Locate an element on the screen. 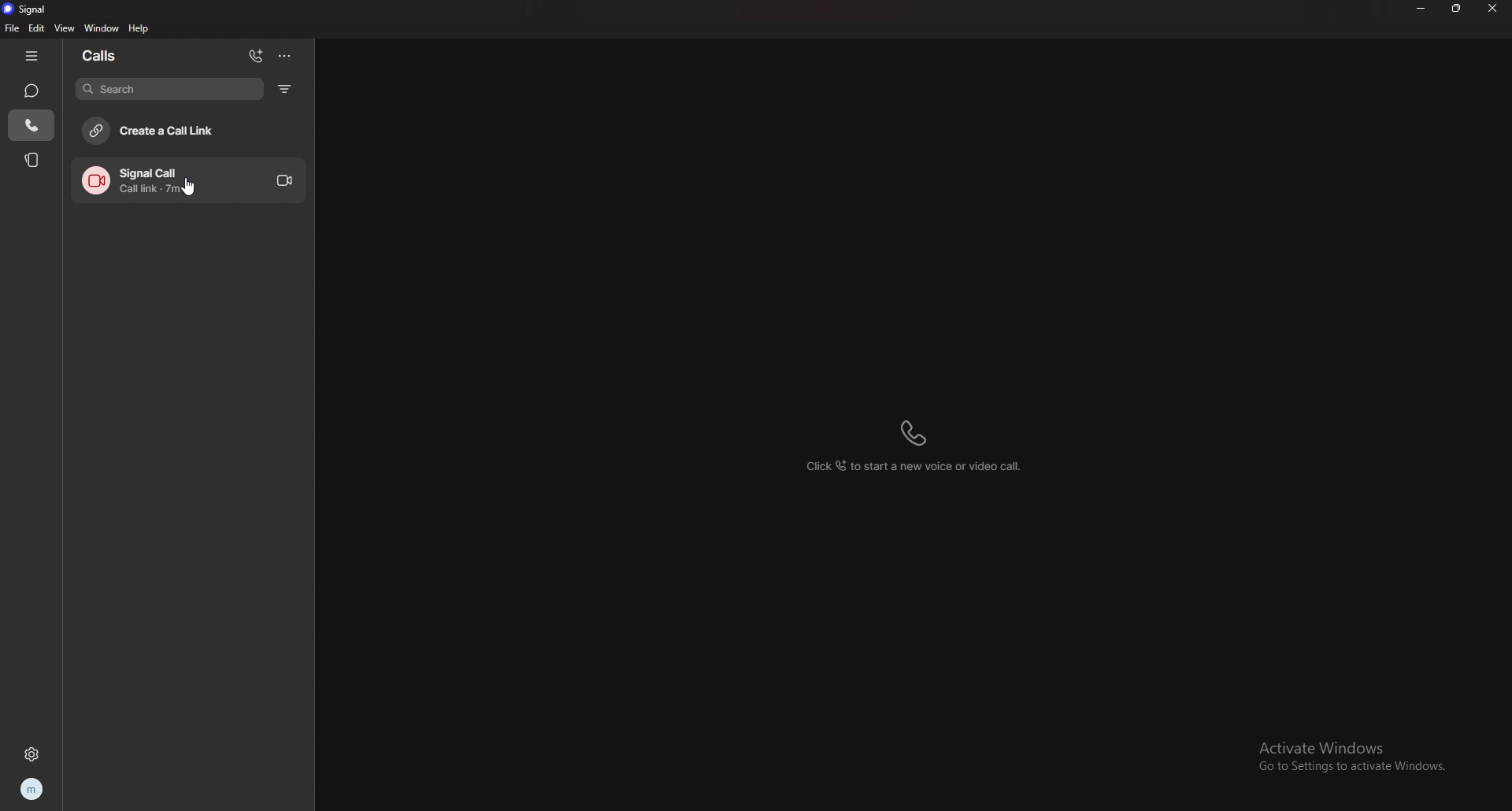 The height and width of the screenshot is (811, 1512). click to add a new voice or video call is located at coordinates (909, 449).